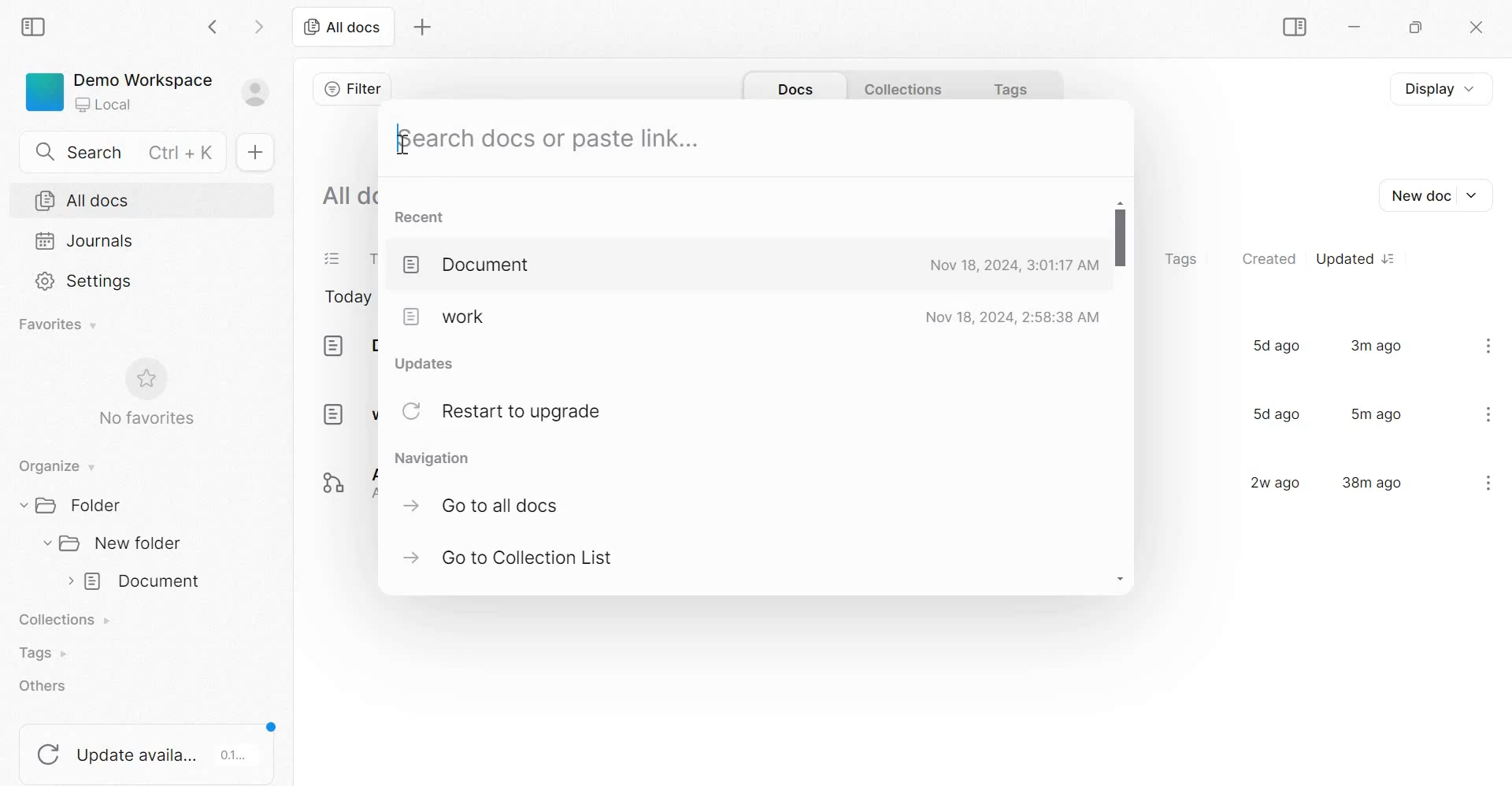 This screenshot has width=1512, height=786. I want to click on New folder, so click(113, 543).